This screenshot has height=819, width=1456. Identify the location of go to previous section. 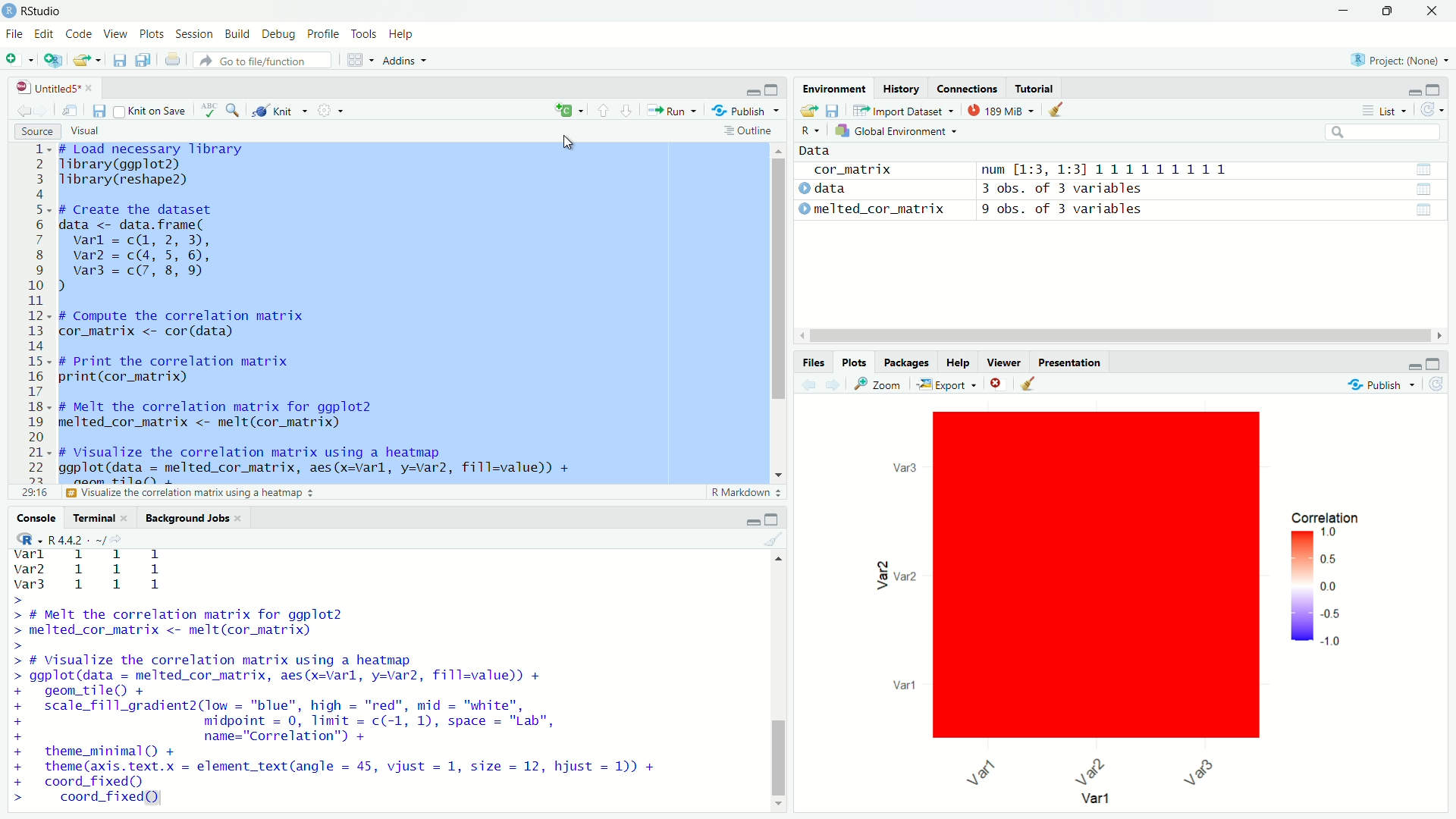
(602, 108).